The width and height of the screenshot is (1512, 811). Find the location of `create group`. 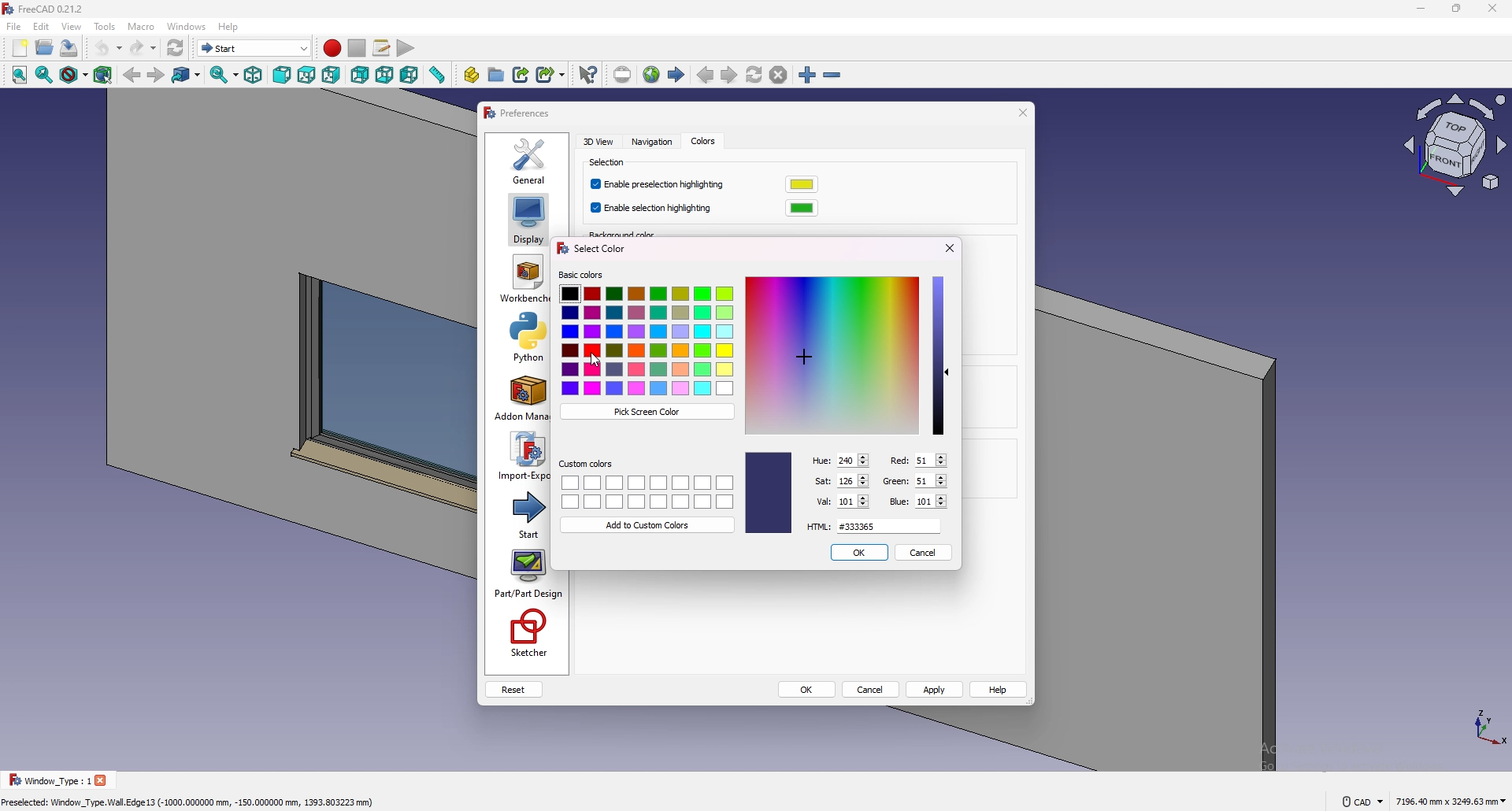

create group is located at coordinates (498, 74).